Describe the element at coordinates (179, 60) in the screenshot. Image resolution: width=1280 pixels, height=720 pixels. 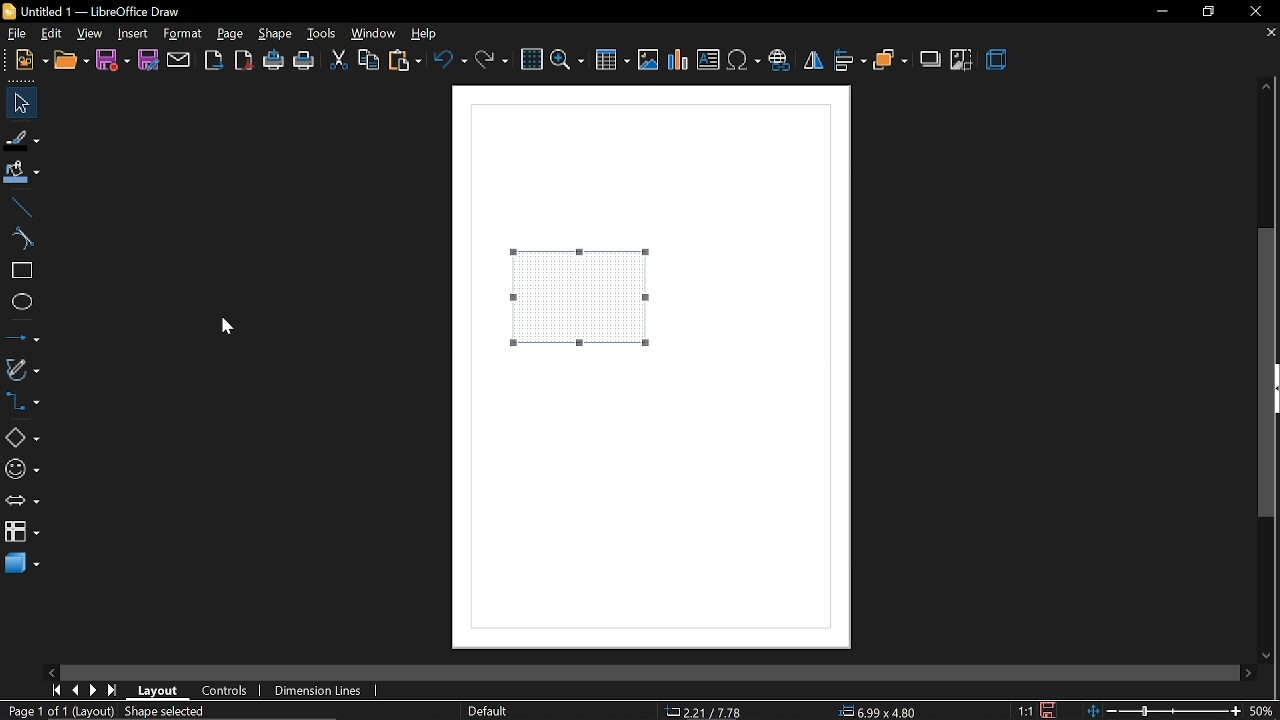
I see `attach` at that location.